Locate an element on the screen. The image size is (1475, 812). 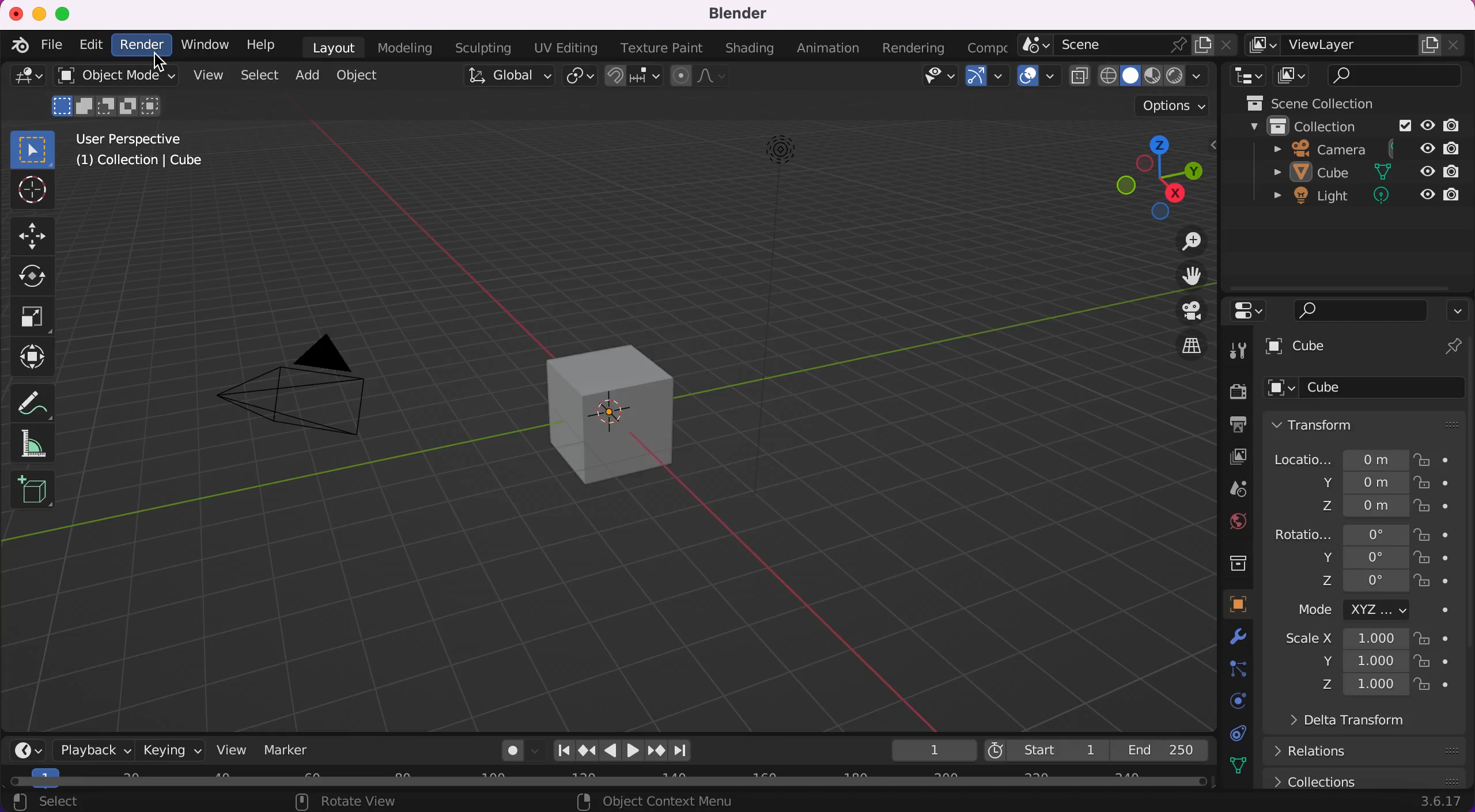
render is located at coordinates (142, 47).